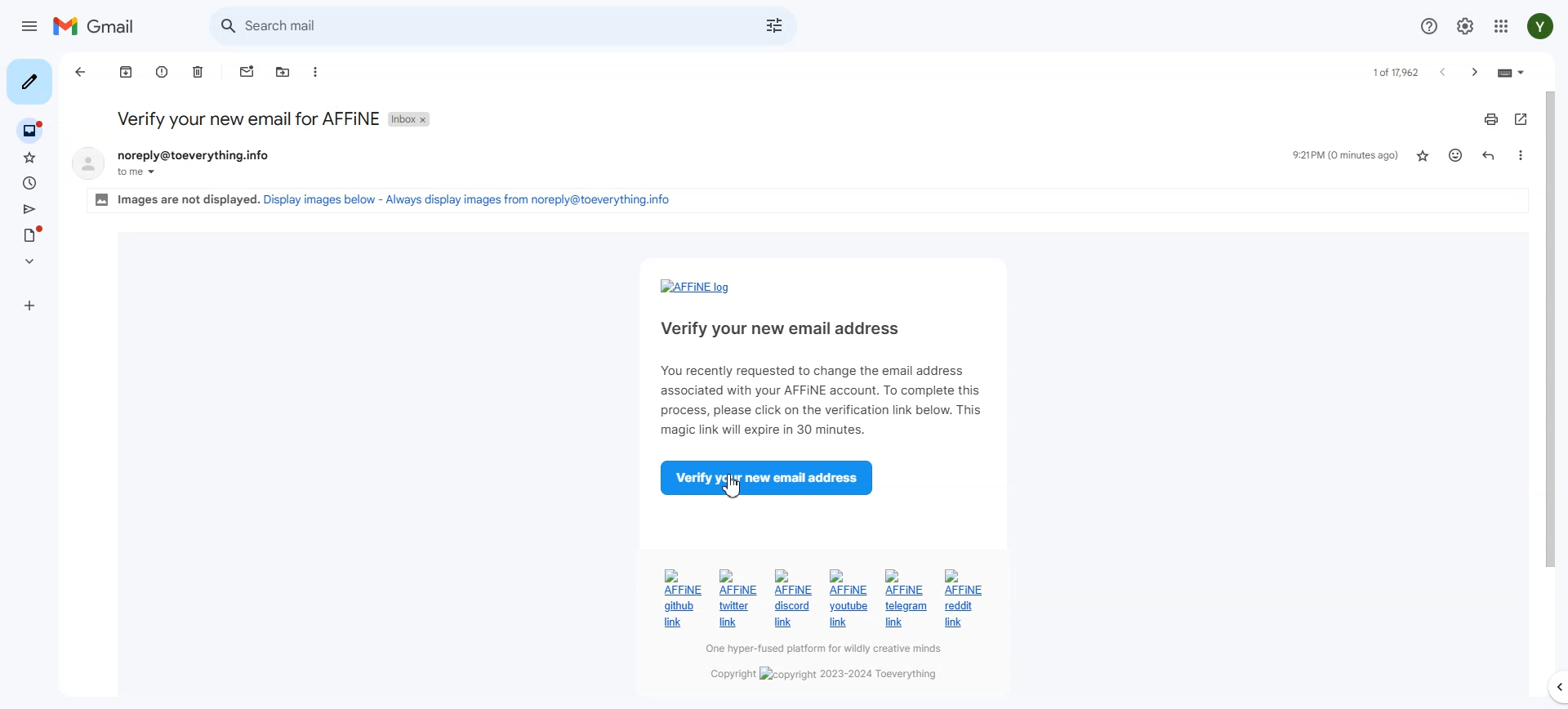 Image resolution: width=1568 pixels, height=709 pixels. I want to click on Not Starred, so click(1419, 156).